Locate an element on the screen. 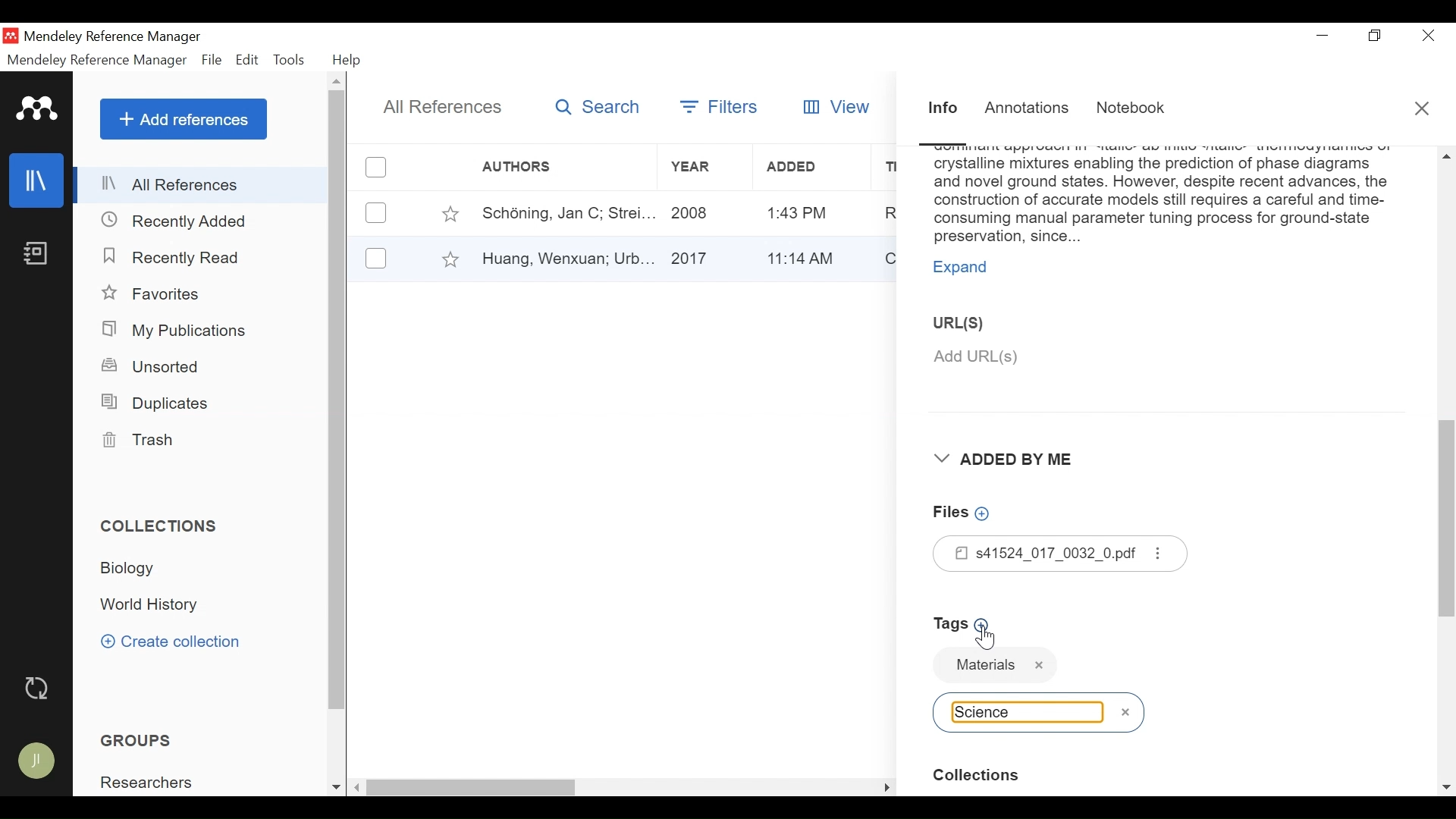 This screenshot has width=1456, height=819. Vertical Scroll bar is located at coordinates (1447, 519).